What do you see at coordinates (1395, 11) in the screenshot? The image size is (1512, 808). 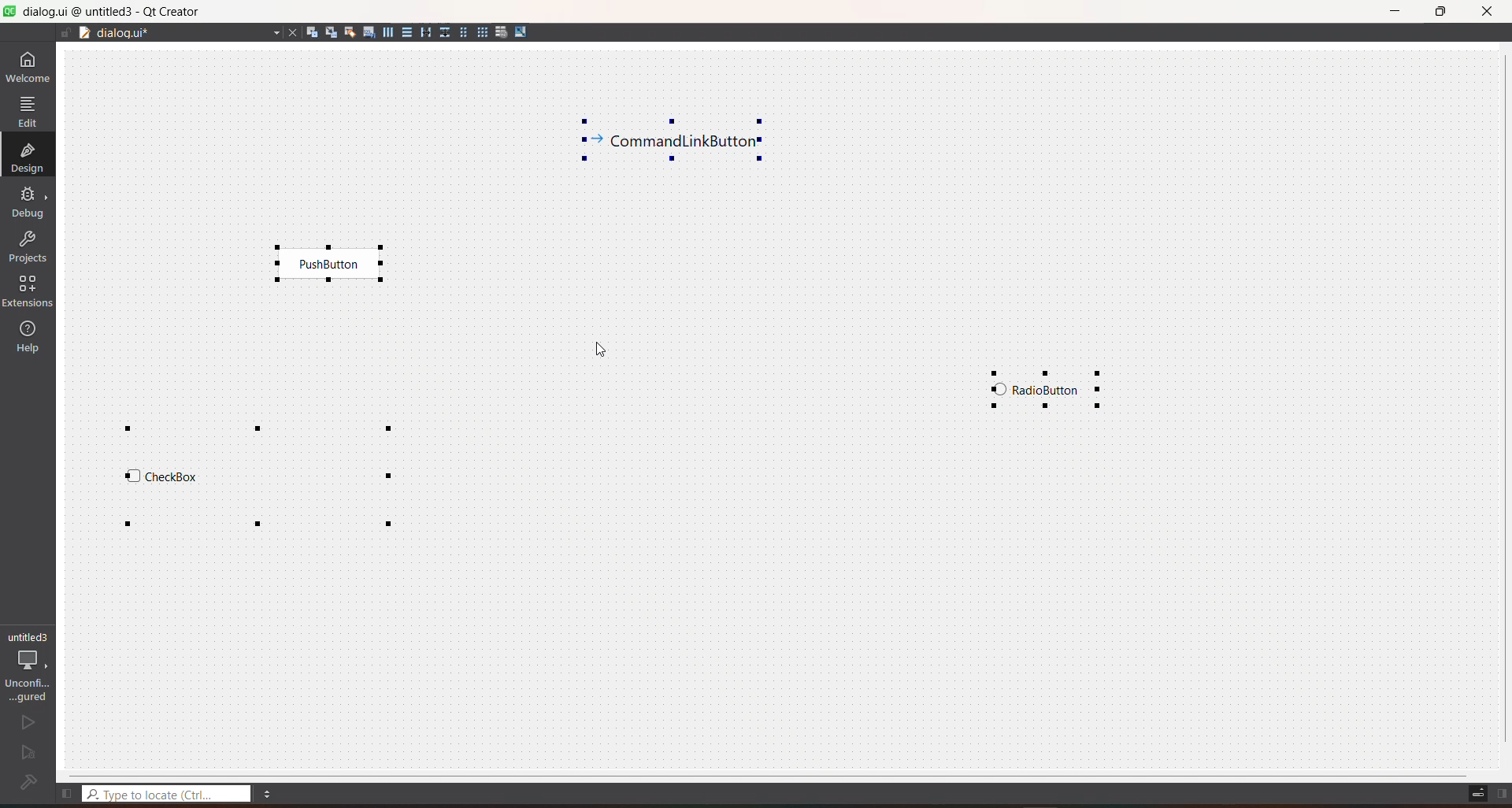 I see `minimize` at bounding box center [1395, 11].